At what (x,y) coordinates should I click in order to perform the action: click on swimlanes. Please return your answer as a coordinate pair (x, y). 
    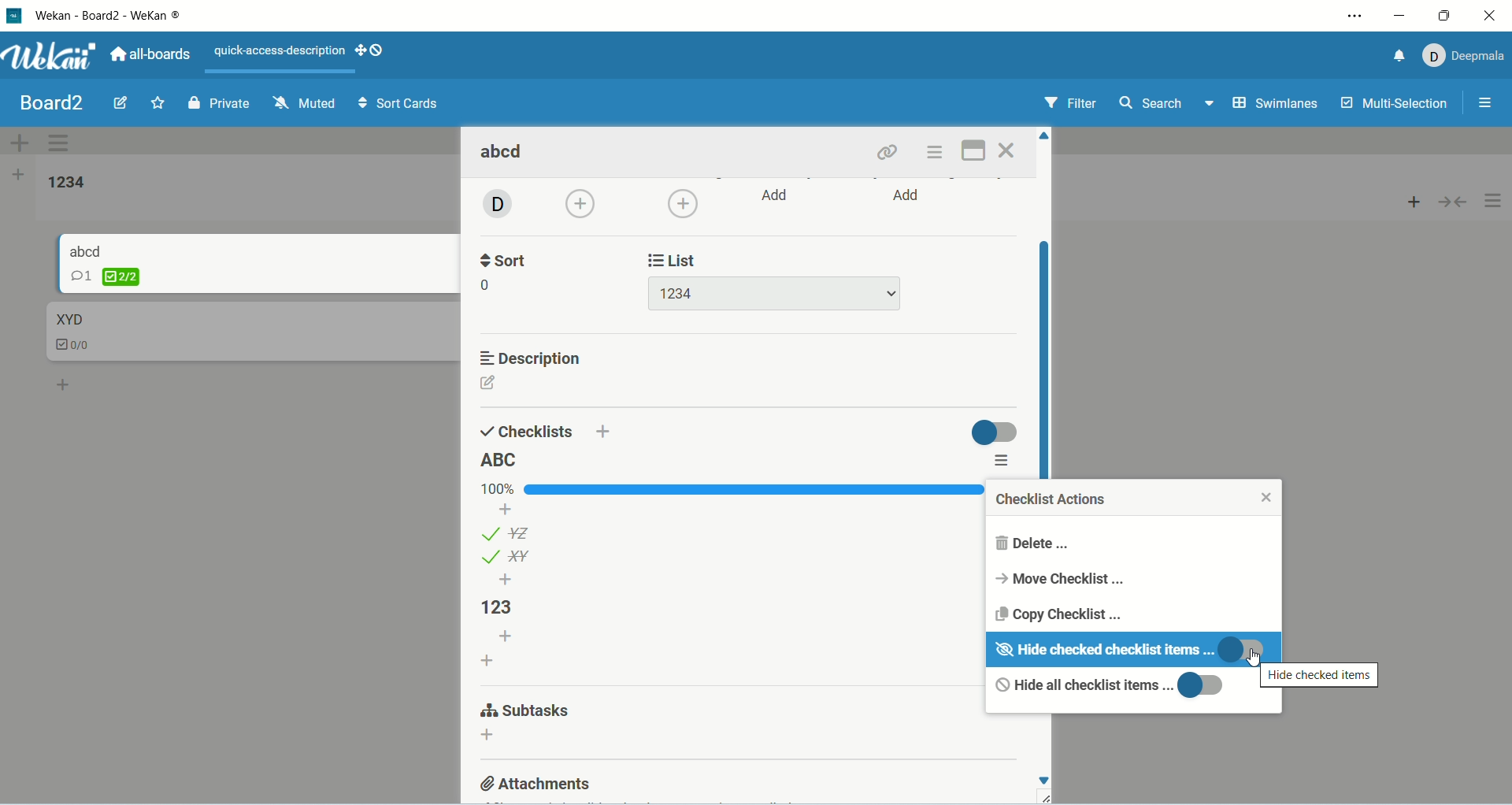
    Looking at the image, I should click on (1274, 104).